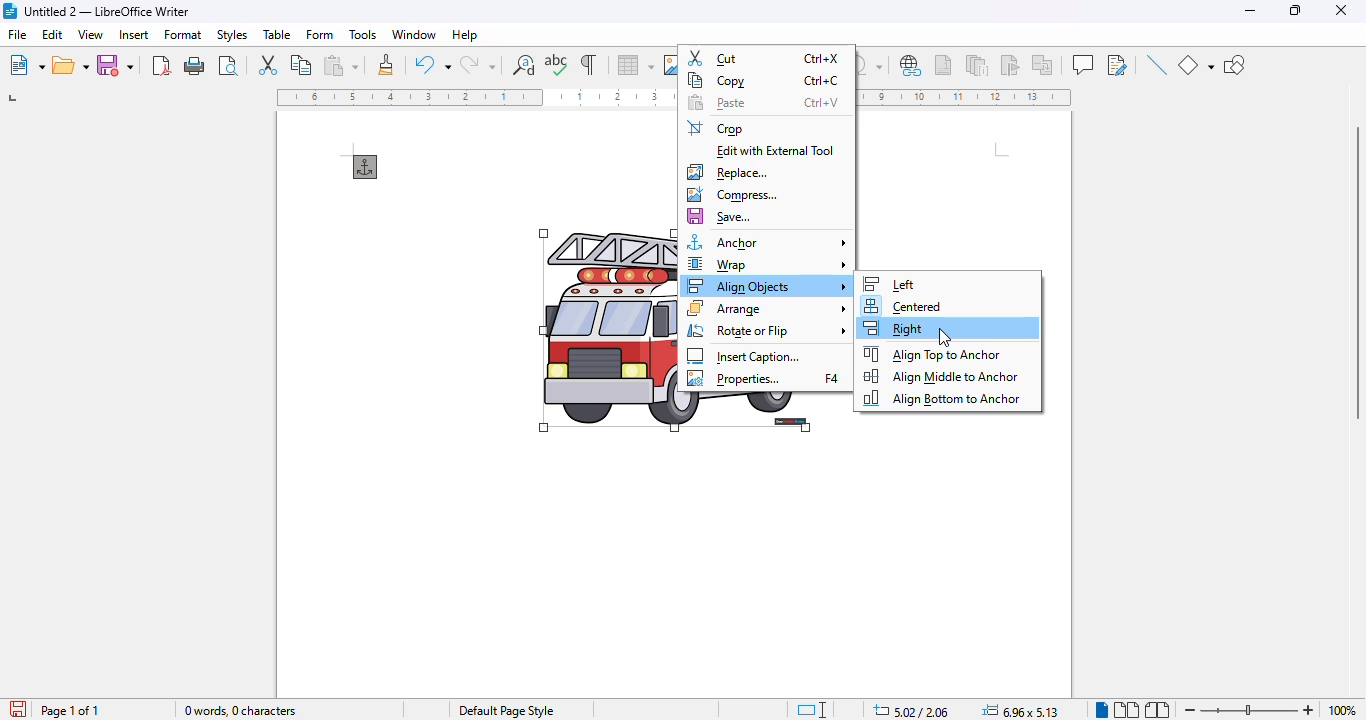 The height and width of the screenshot is (720, 1366). I want to click on close, so click(1341, 10).